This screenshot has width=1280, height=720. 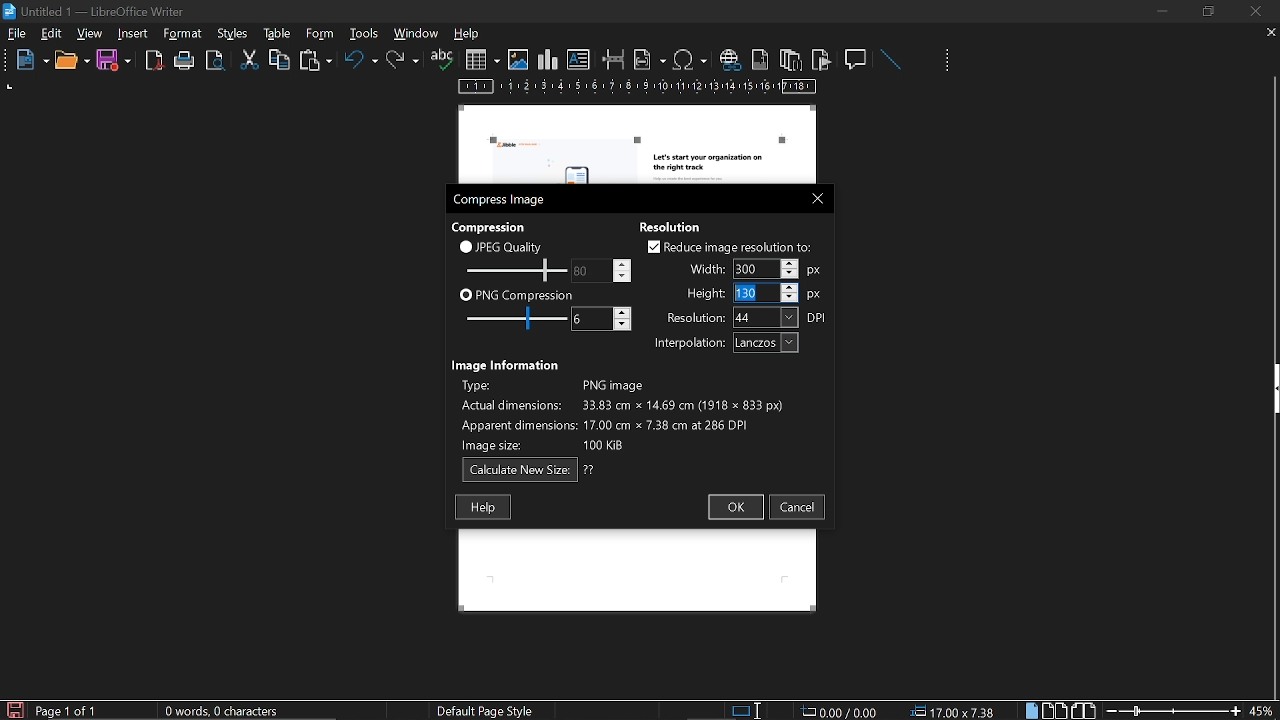 I want to click on Cursor, so click(x=736, y=293).